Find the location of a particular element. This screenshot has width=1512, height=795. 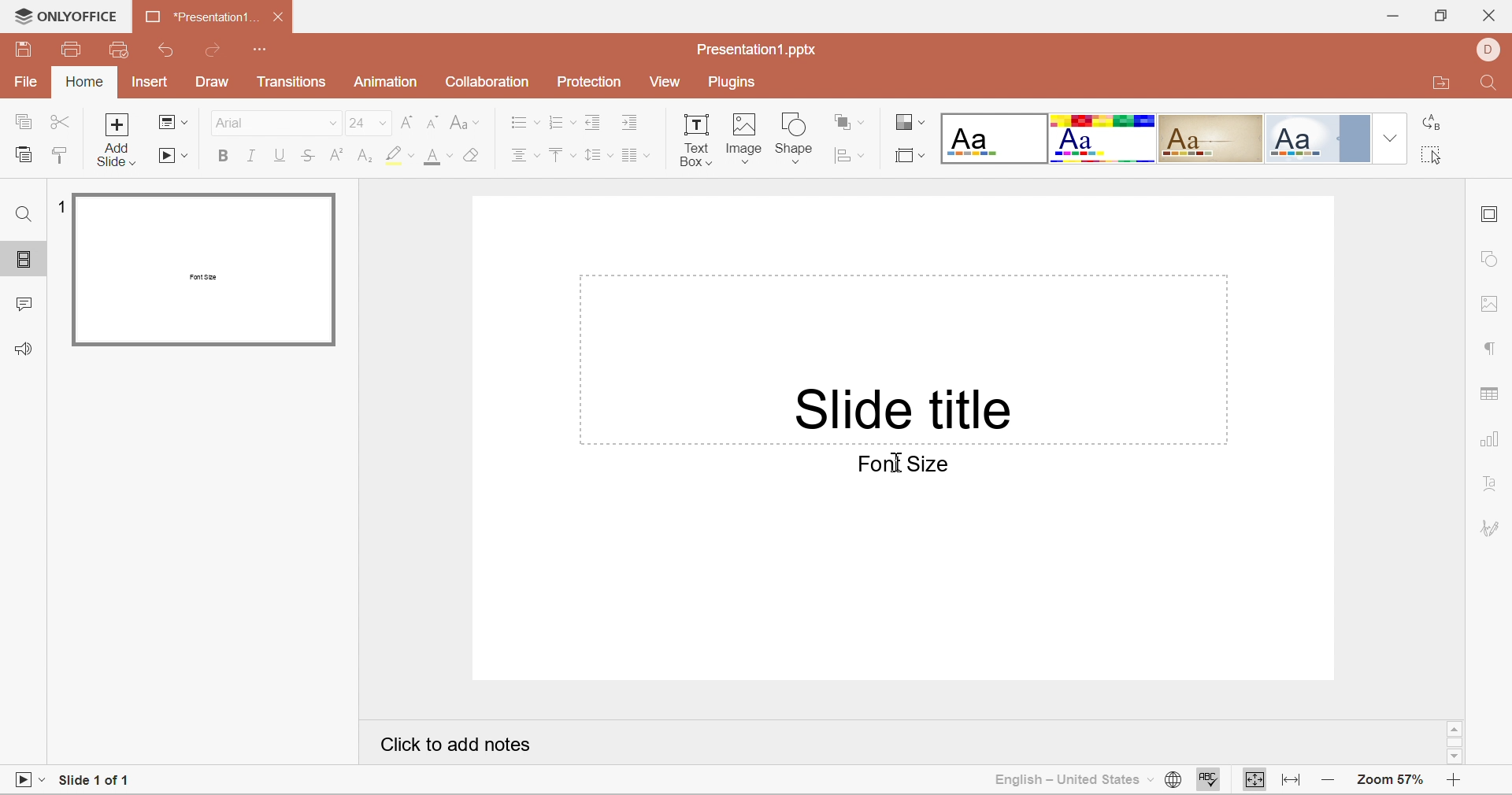

paragraph settings is located at coordinates (1489, 348).